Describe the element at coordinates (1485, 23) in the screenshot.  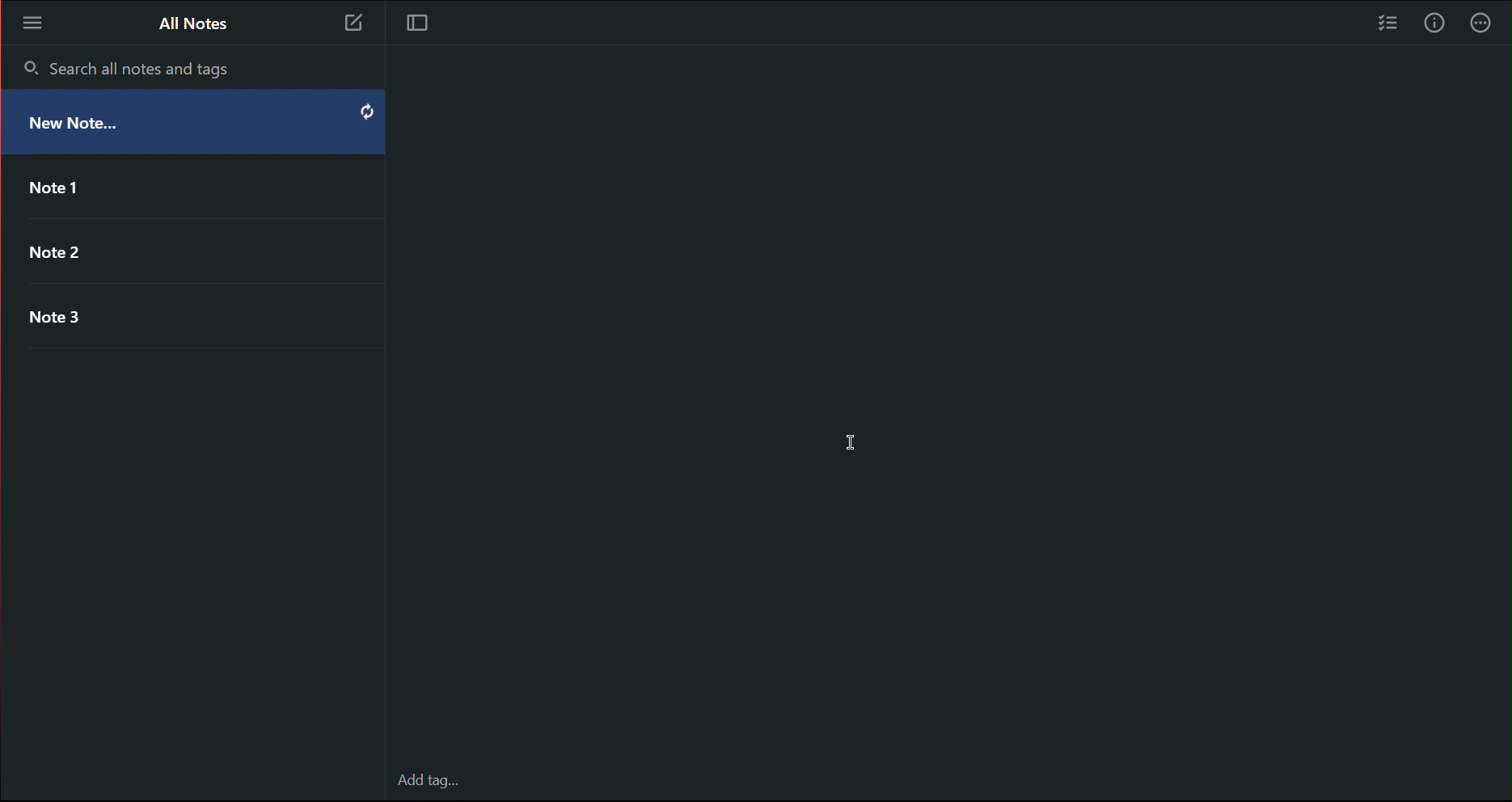
I see `More` at that location.